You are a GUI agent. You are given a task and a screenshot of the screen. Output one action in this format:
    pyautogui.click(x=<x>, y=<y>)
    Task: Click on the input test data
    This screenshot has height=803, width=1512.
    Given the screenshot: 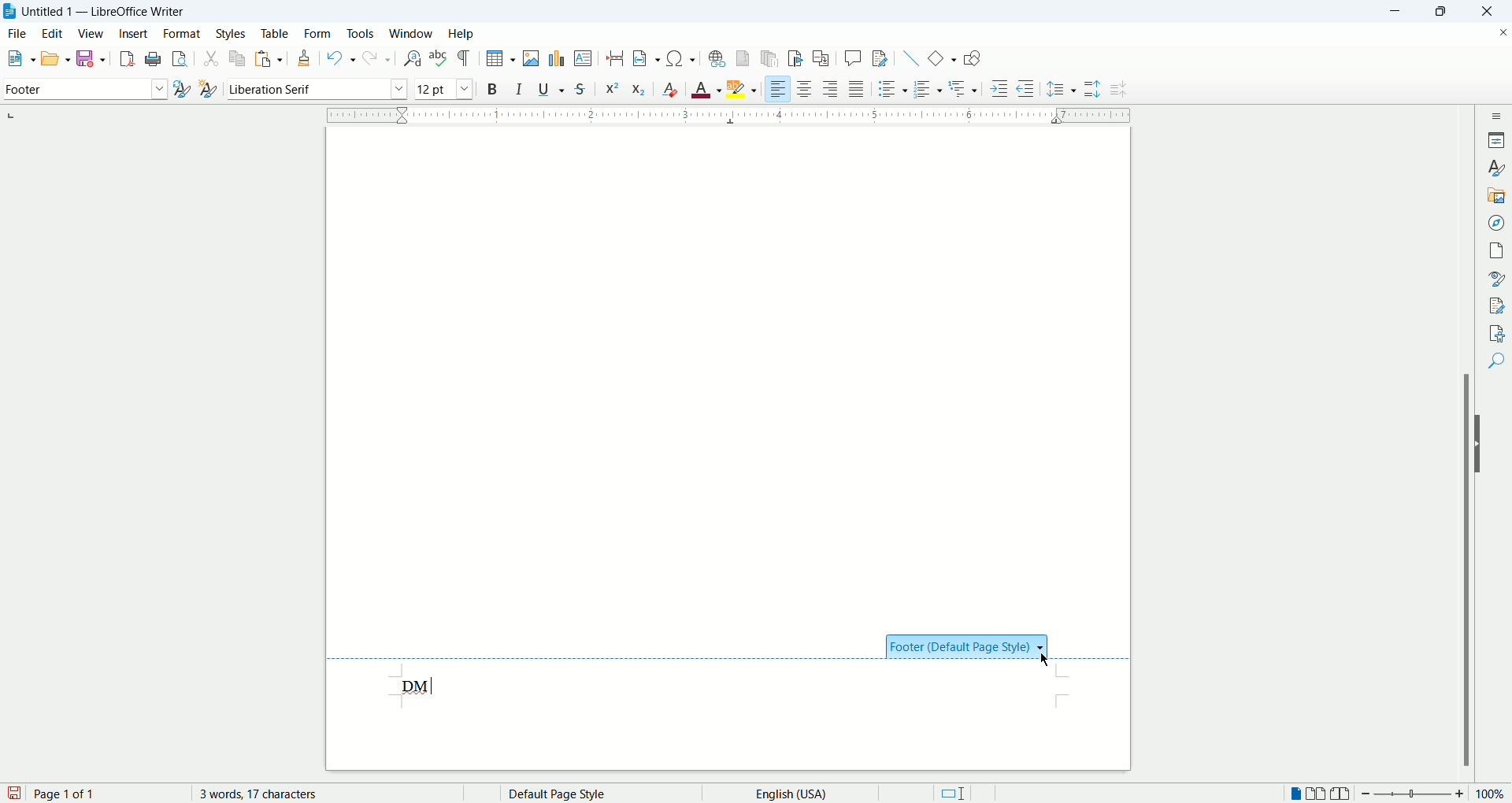 What is the action you would take?
    pyautogui.click(x=422, y=686)
    